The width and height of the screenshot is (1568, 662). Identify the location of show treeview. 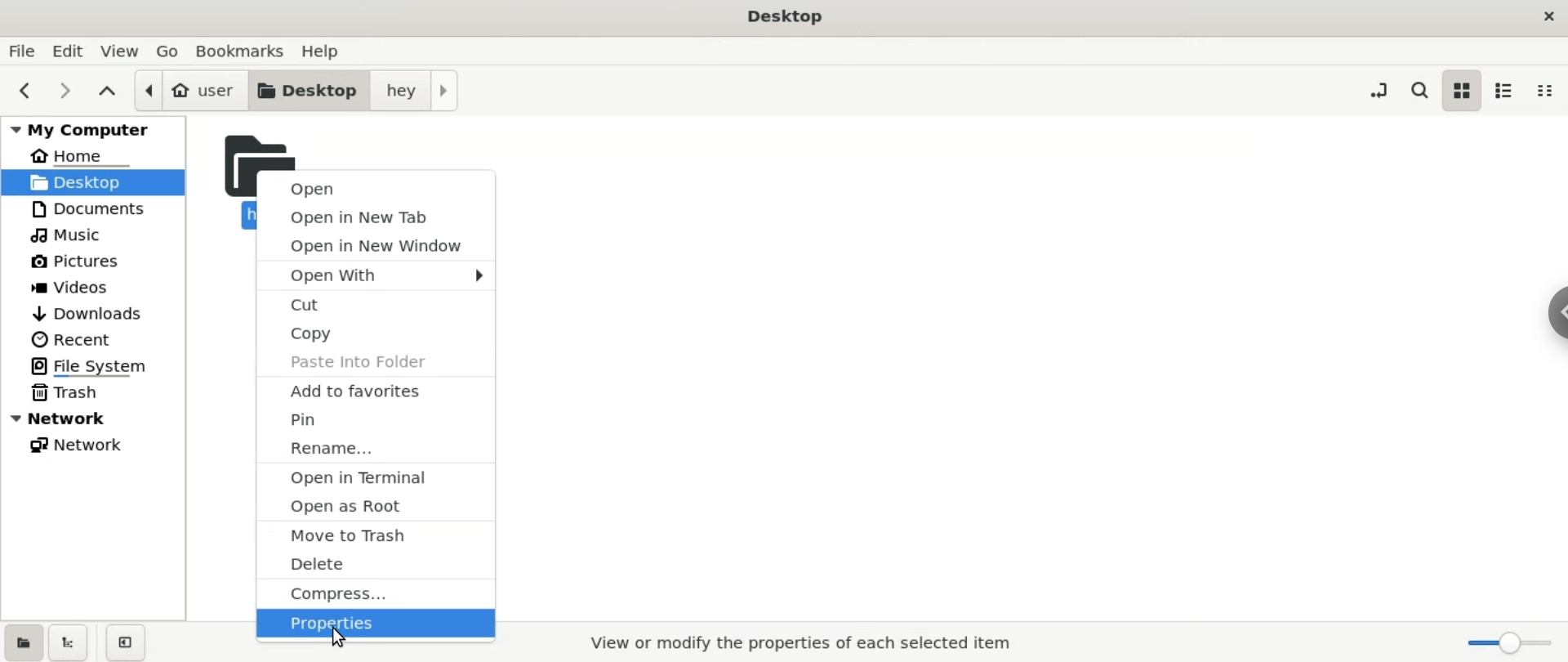
(67, 642).